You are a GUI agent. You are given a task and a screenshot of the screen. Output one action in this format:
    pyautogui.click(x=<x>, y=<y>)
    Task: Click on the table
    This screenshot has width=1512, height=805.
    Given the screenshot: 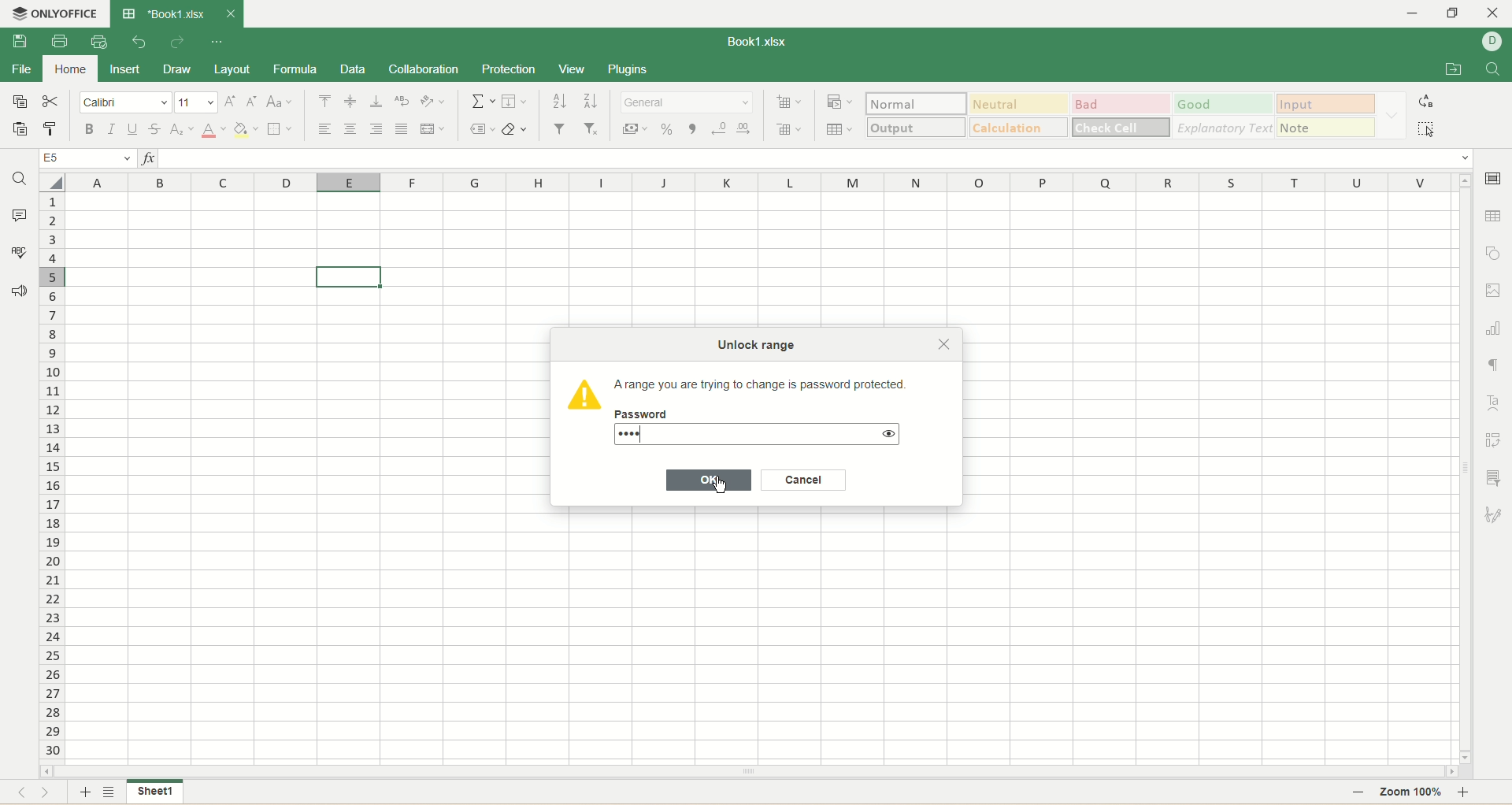 What is the action you would take?
    pyautogui.click(x=839, y=130)
    